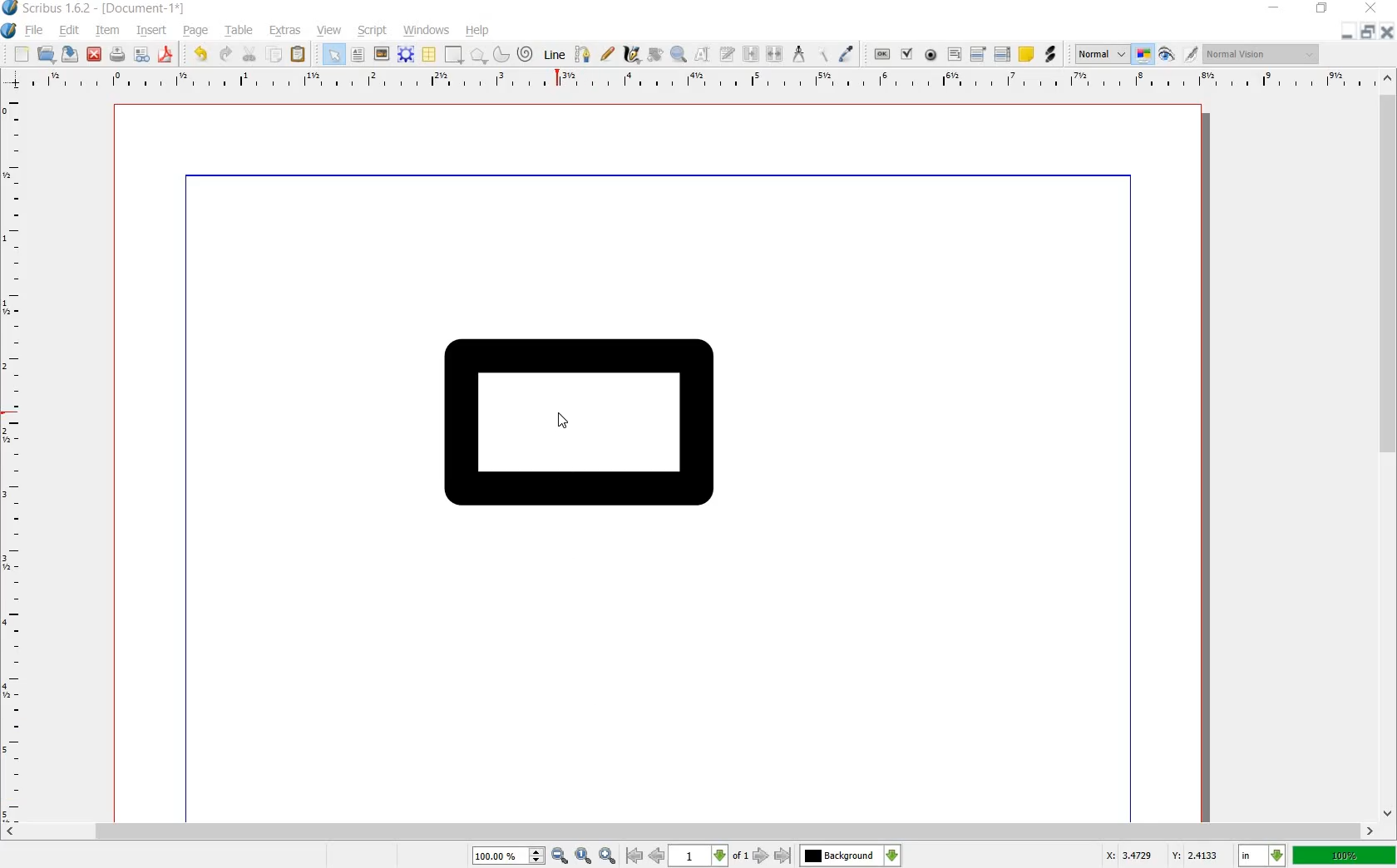 The width and height of the screenshot is (1397, 868). What do you see at coordinates (1345, 856) in the screenshot?
I see `zoom factor` at bounding box center [1345, 856].